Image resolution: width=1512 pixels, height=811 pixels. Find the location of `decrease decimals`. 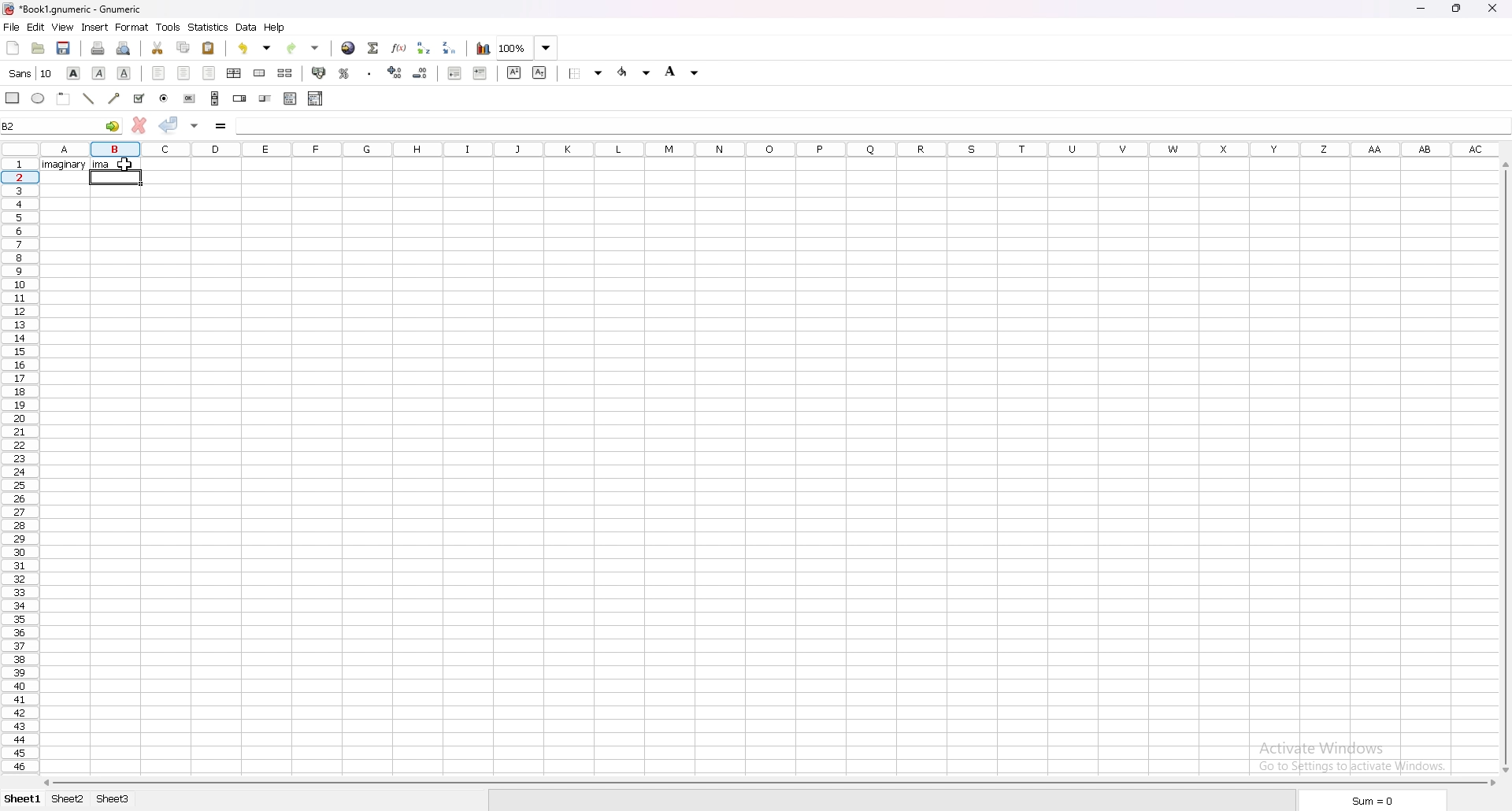

decrease decimals is located at coordinates (421, 73).